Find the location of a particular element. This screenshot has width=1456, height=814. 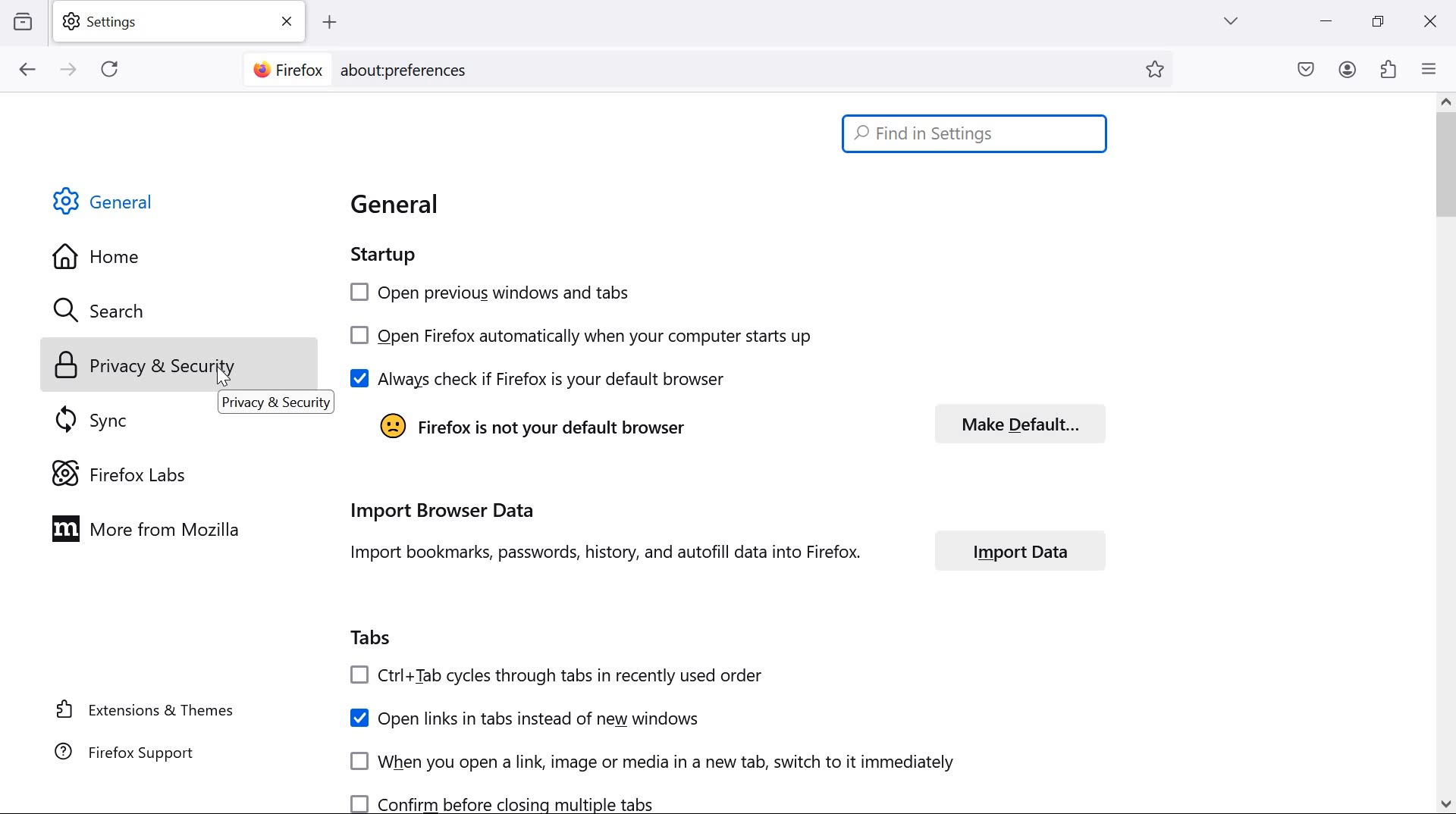

Open previous windows and tabs is located at coordinates (504, 290).